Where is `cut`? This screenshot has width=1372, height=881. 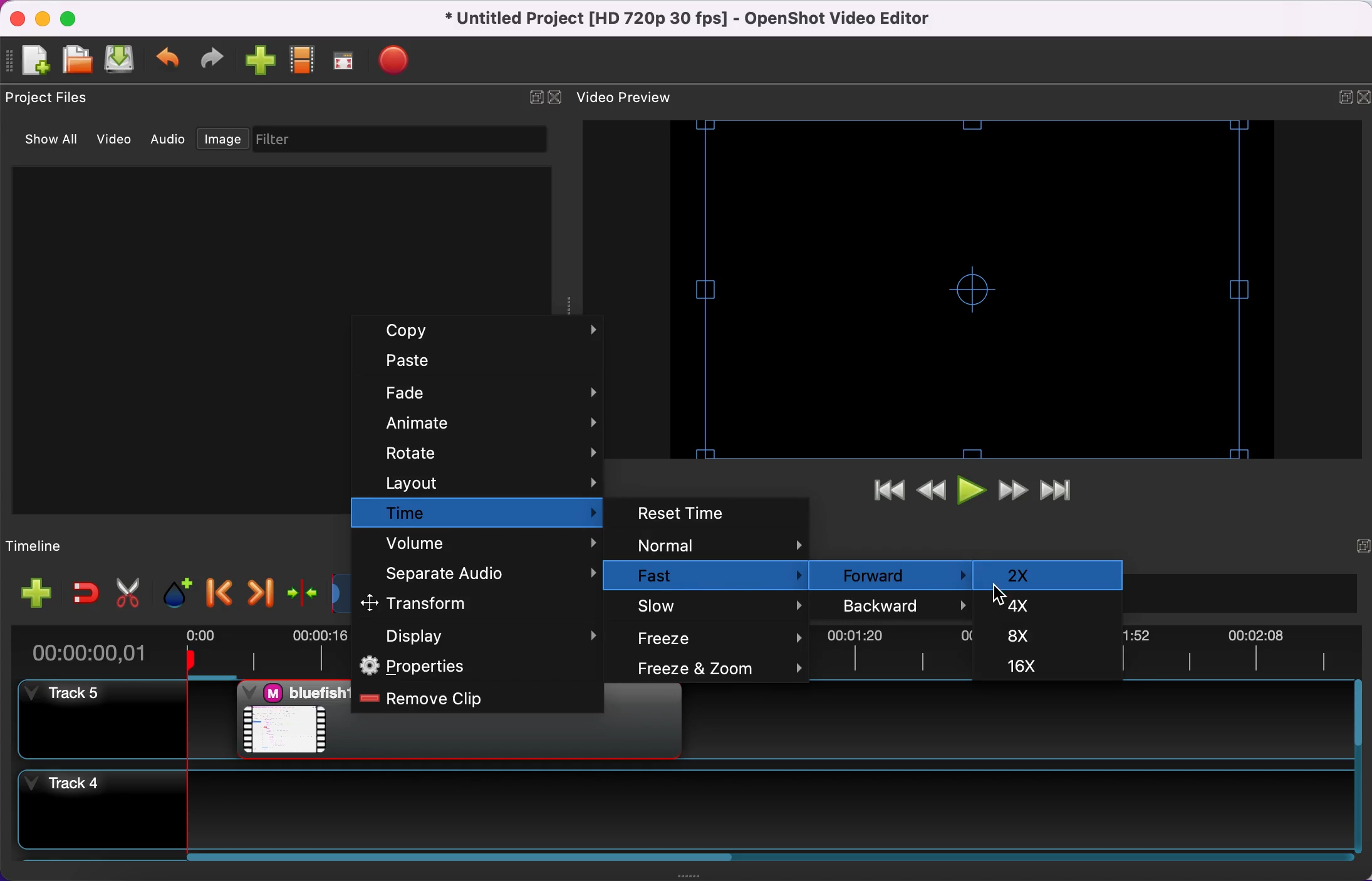
cut is located at coordinates (128, 592).